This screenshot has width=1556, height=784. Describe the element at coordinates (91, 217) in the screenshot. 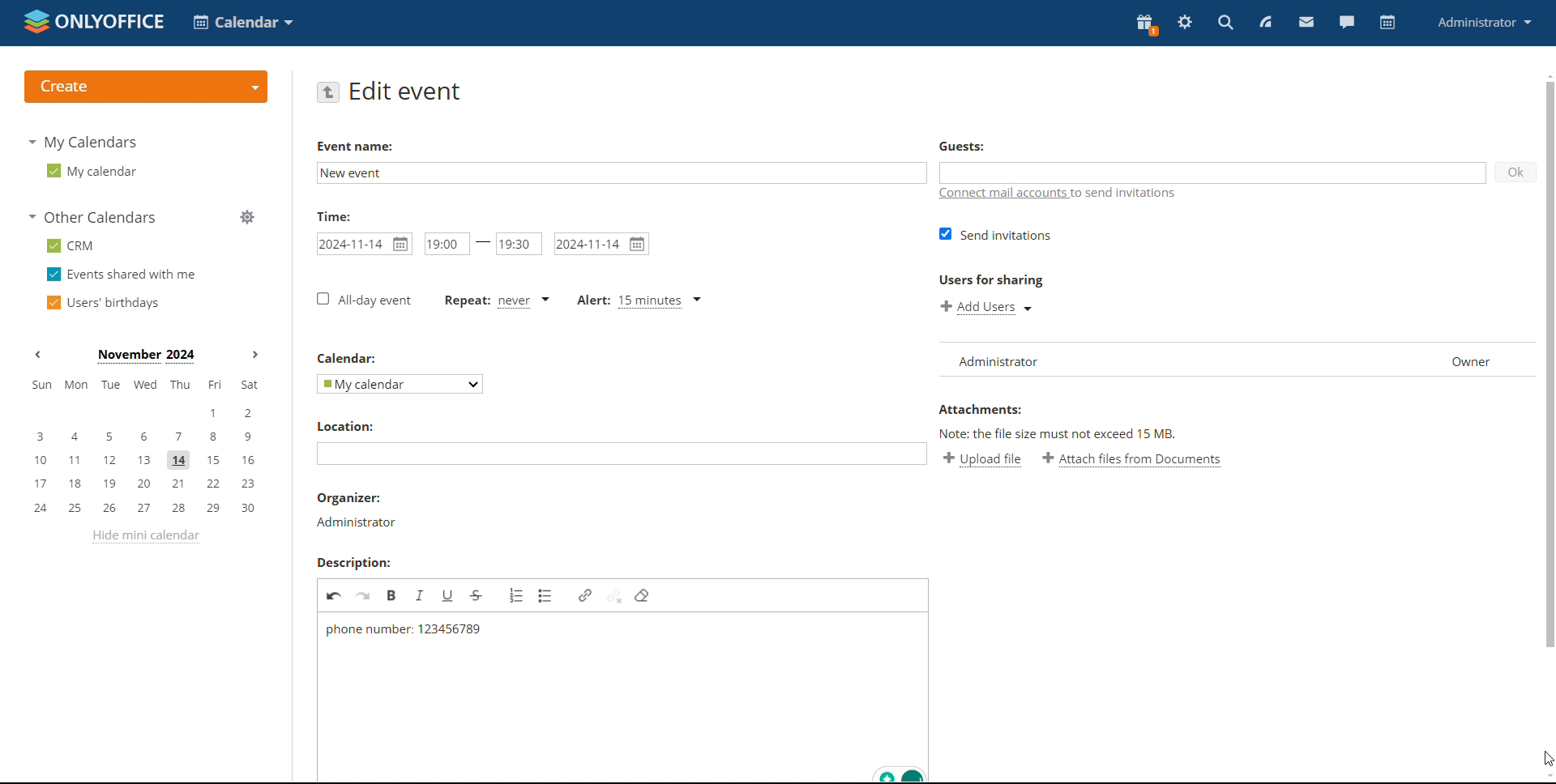

I see `other calendars` at that location.